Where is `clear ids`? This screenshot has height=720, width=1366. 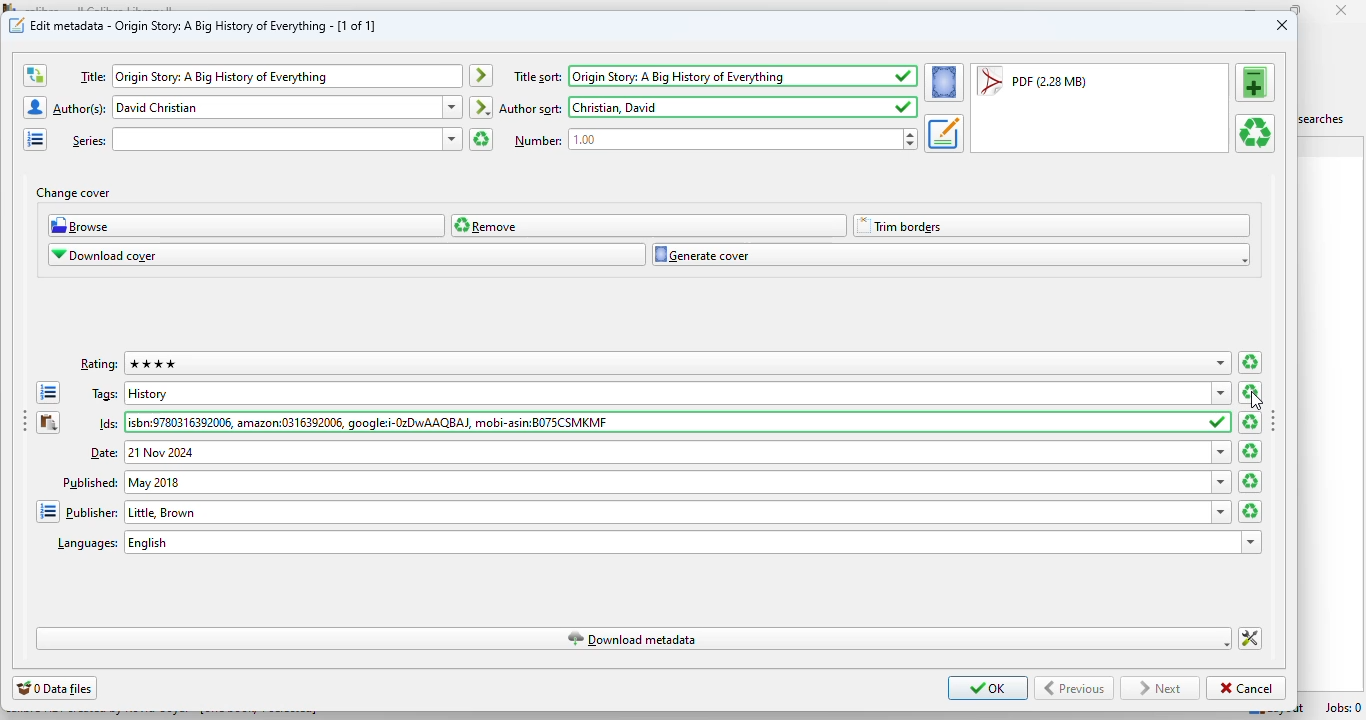 clear ids is located at coordinates (1248, 422).